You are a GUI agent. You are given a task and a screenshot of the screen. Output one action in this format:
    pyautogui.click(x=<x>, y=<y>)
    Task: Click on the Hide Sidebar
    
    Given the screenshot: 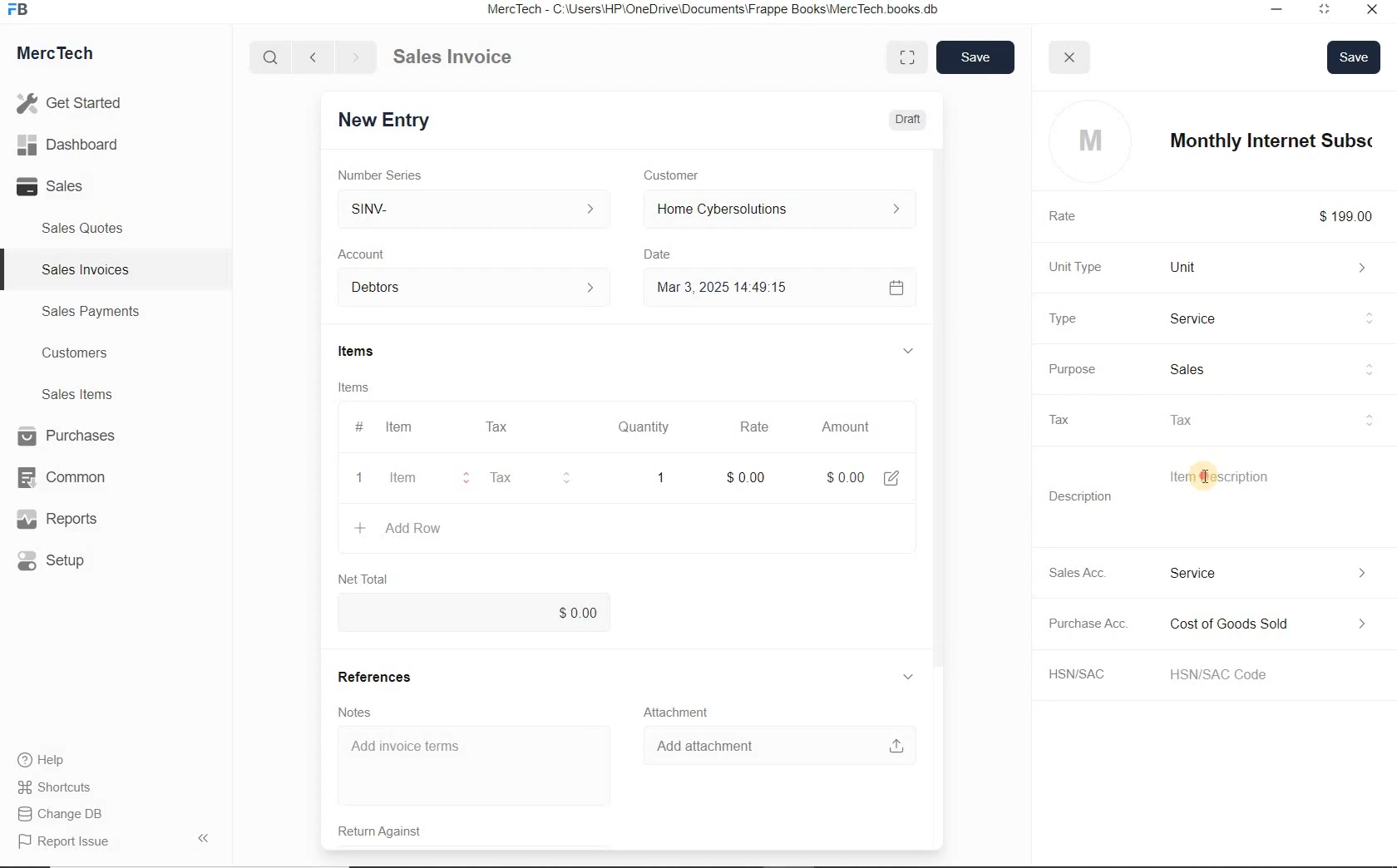 What is the action you would take?
    pyautogui.click(x=202, y=837)
    